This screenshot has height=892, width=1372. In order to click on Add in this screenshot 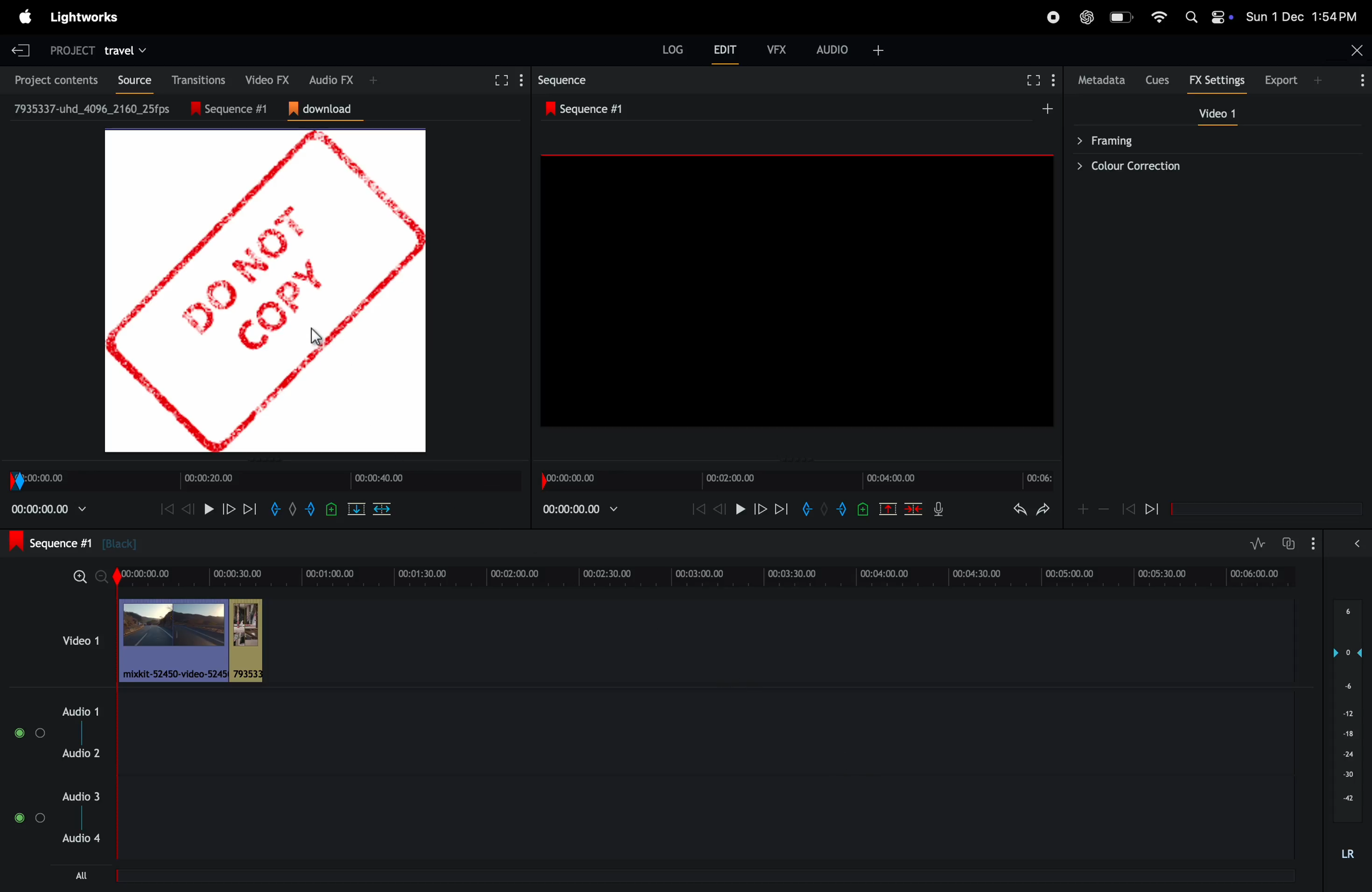, I will do `click(374, 80)`.